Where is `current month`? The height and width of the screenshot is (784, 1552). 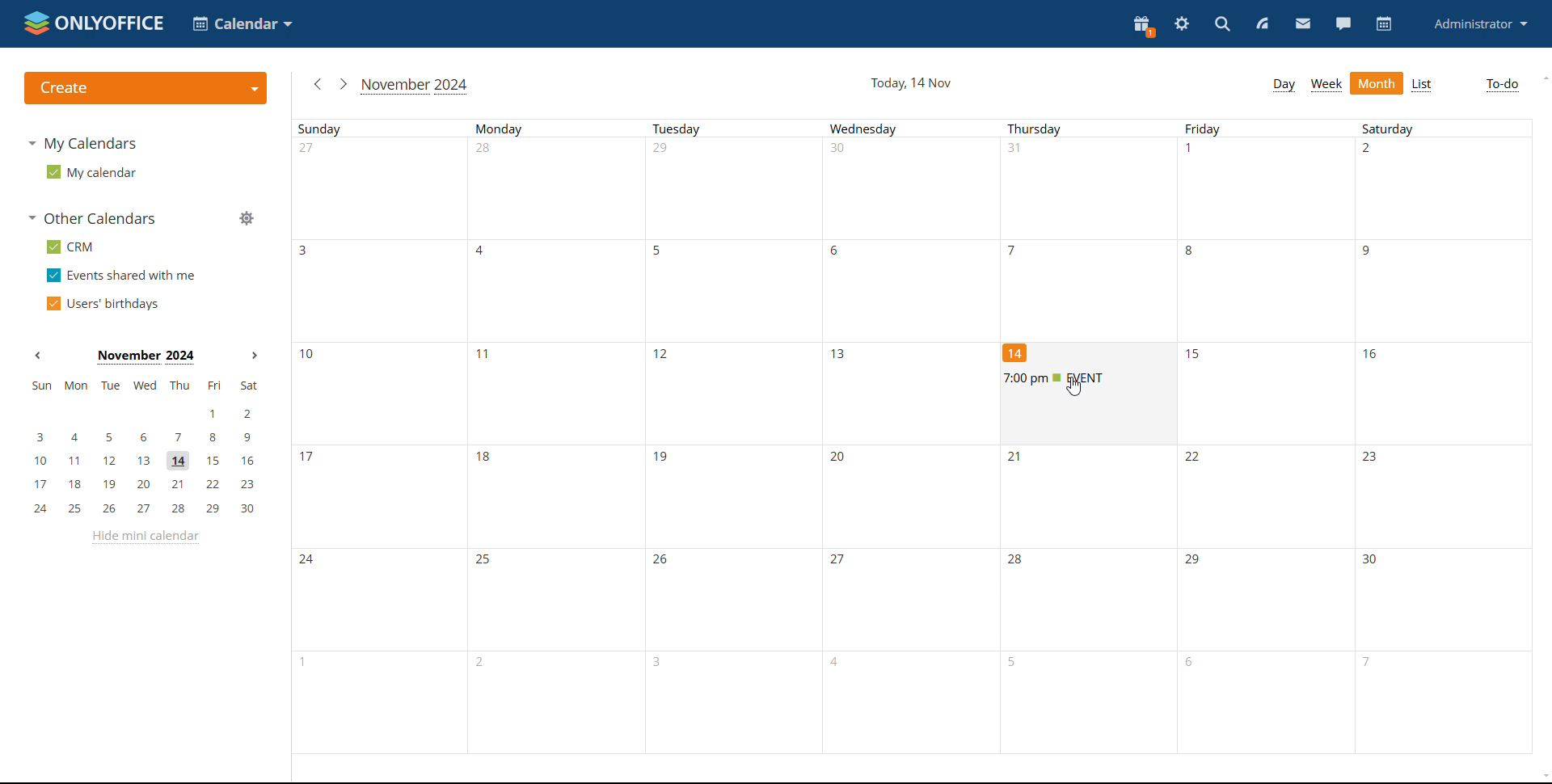 current month is located at coordinates (145, 358).